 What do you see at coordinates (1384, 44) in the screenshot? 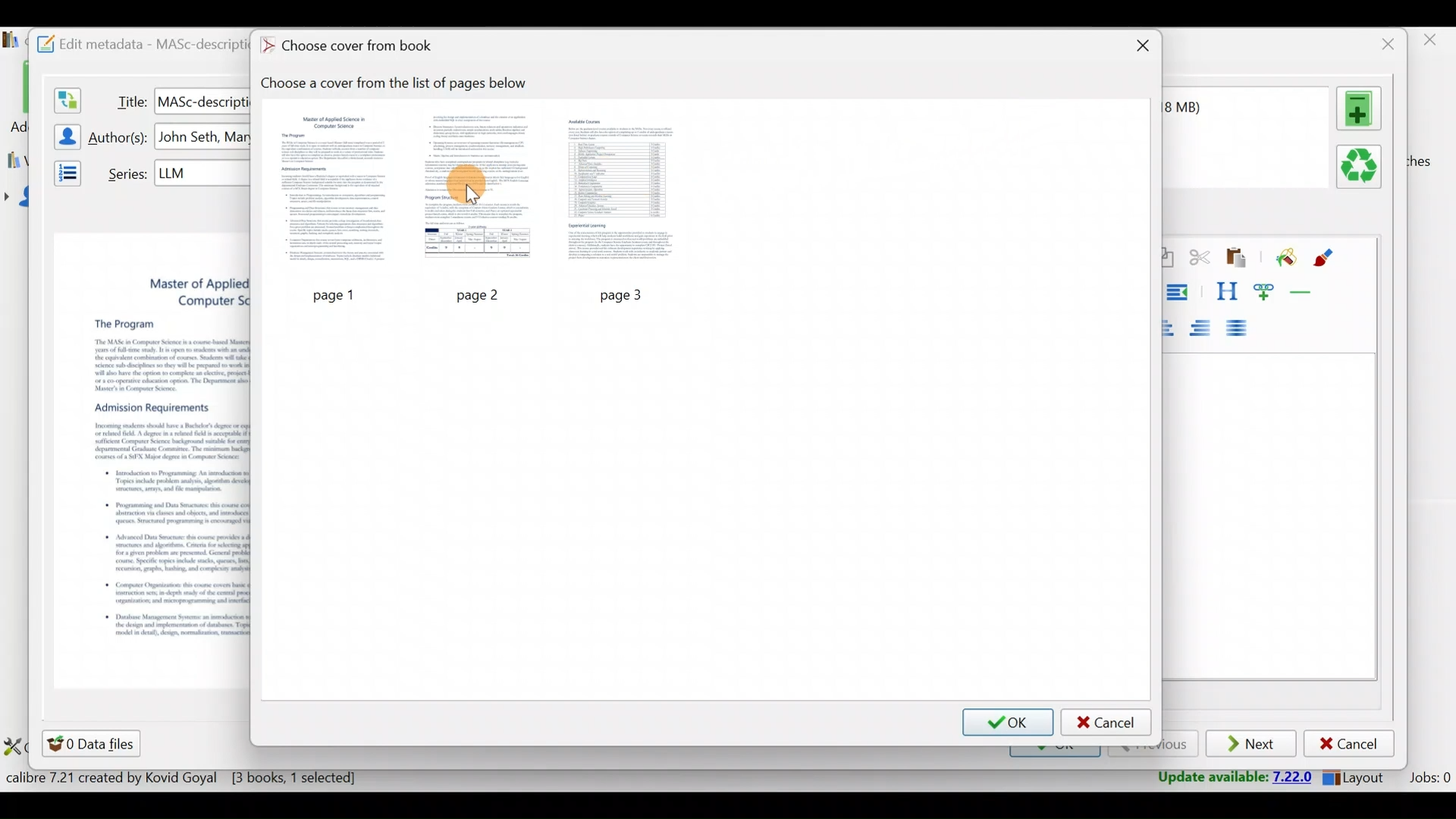
I see `Close` at bounding box center [1384, 44].